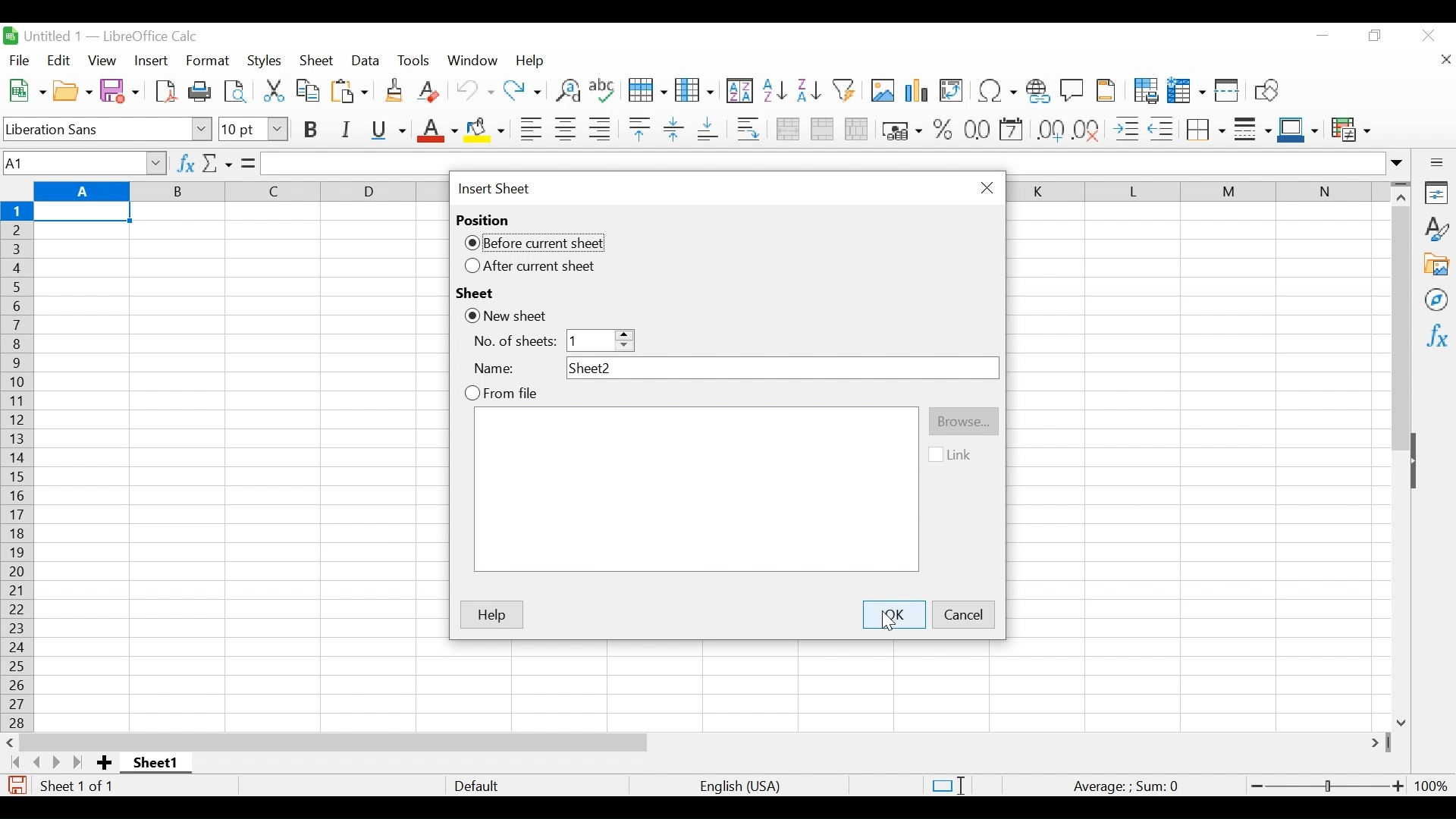  What do you see at coordinates (1376, 37) in the screenshot?
I see `Restore` at bounding box center [1376, 37].